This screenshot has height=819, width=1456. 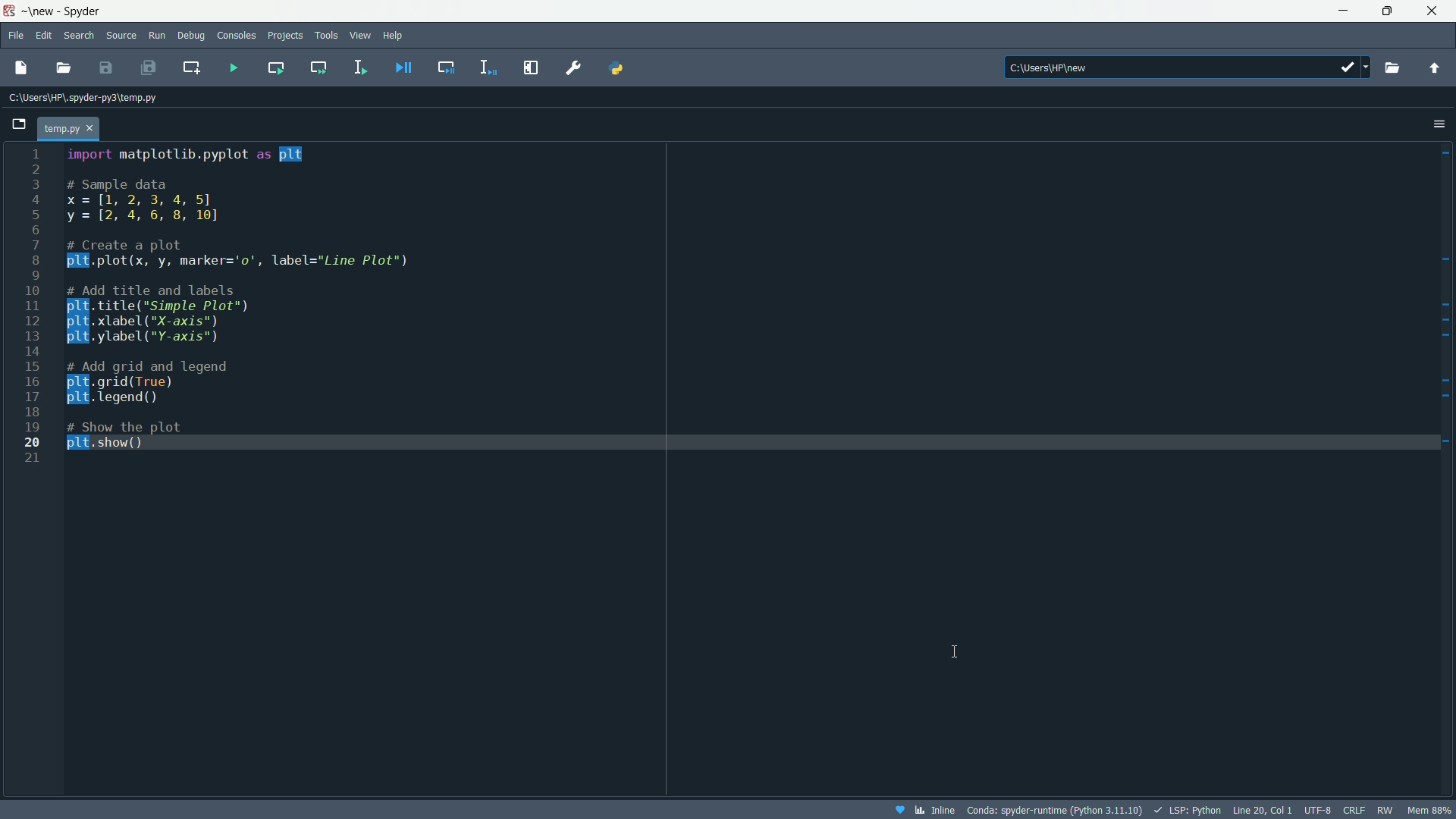 What do you see at coordinates (67, 11) in the screenshot?
I see `~\new - Spyder` at bounding box center [67, 11].